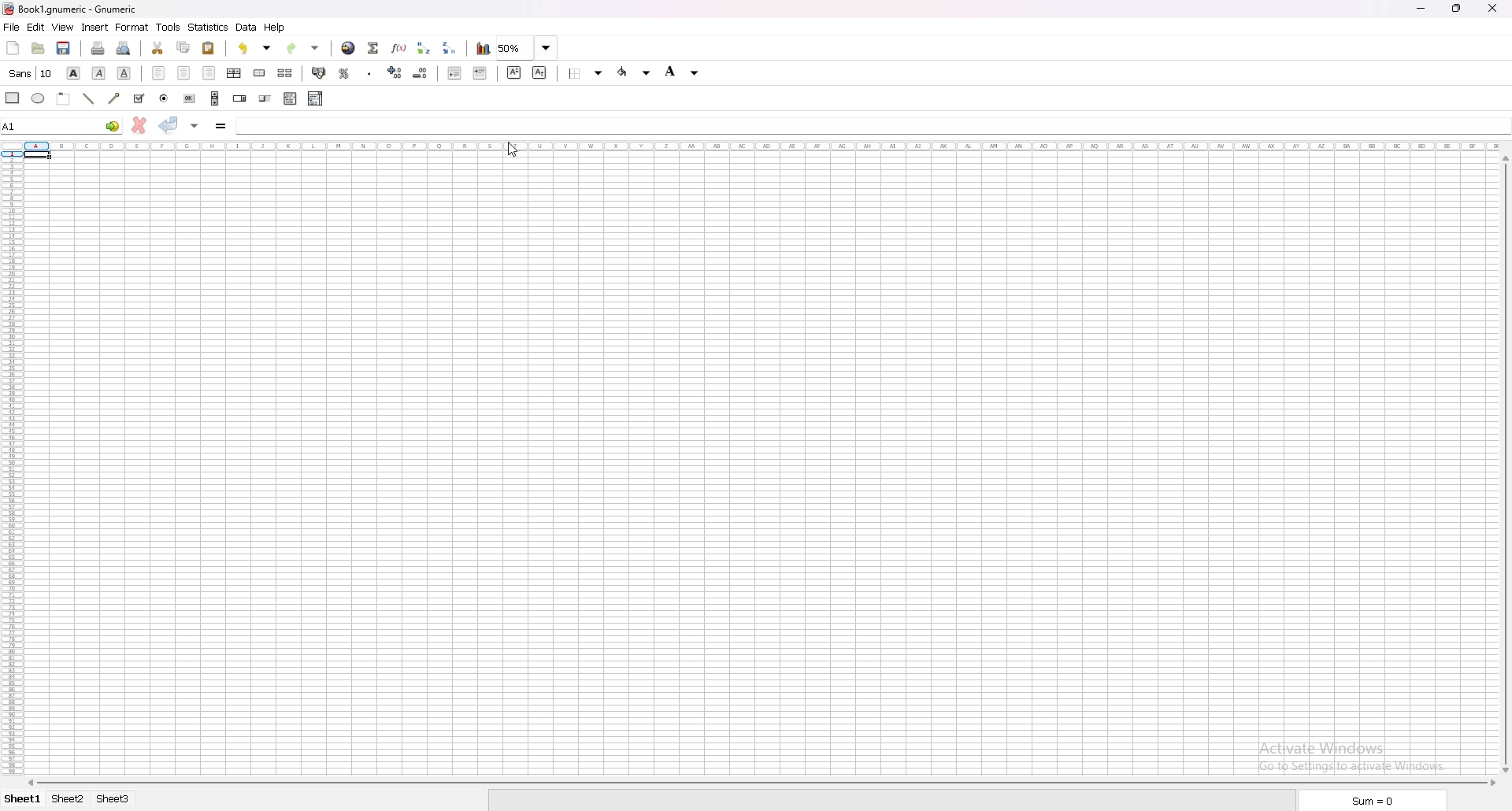 The image size is (1512, 811). Describe the element at coordinates (38, 49) in the screenshot. I see `open` at that location.